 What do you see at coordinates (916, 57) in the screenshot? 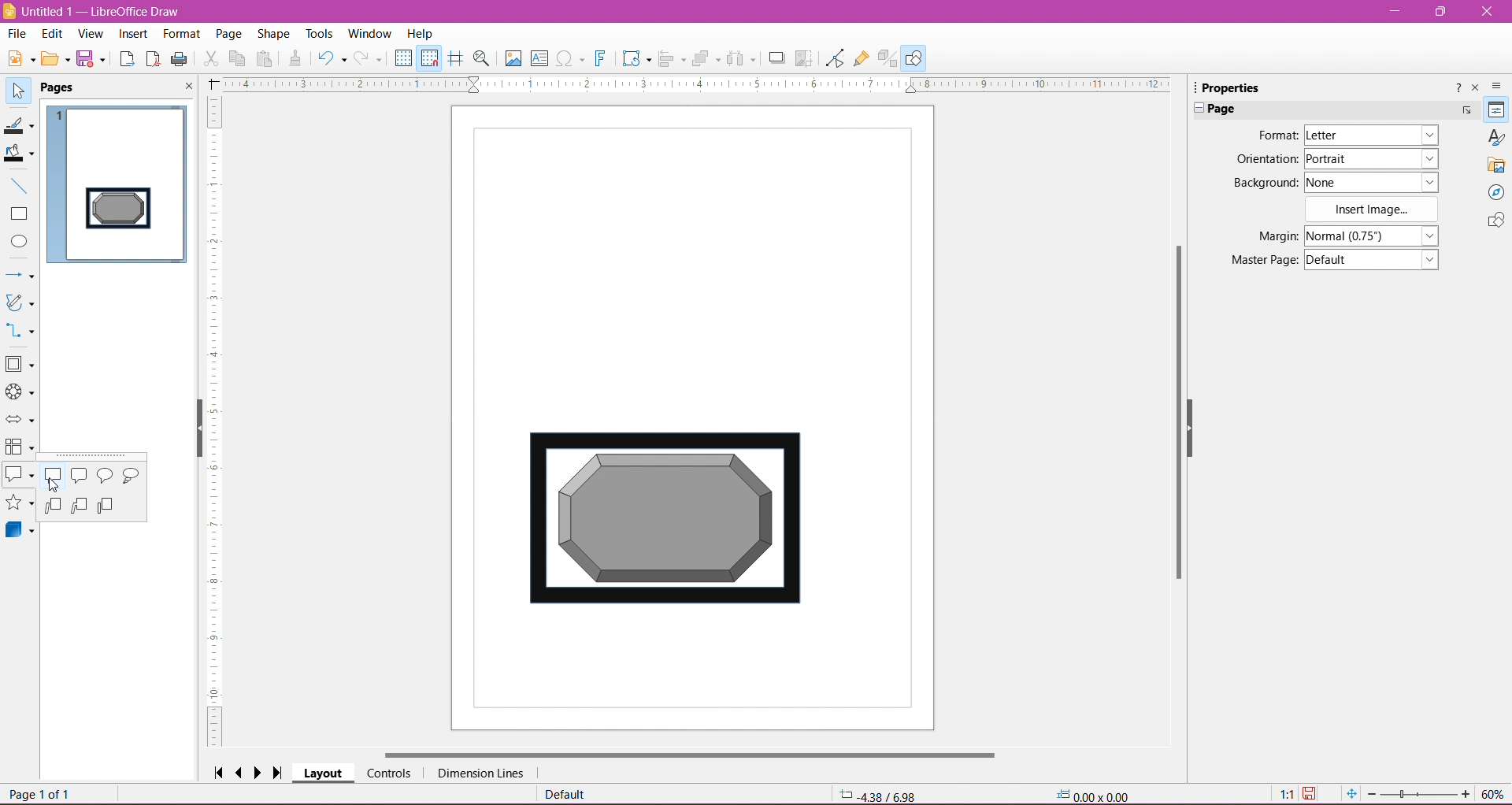
I see `Show Draw Functions` at bounding box center [916, 57].